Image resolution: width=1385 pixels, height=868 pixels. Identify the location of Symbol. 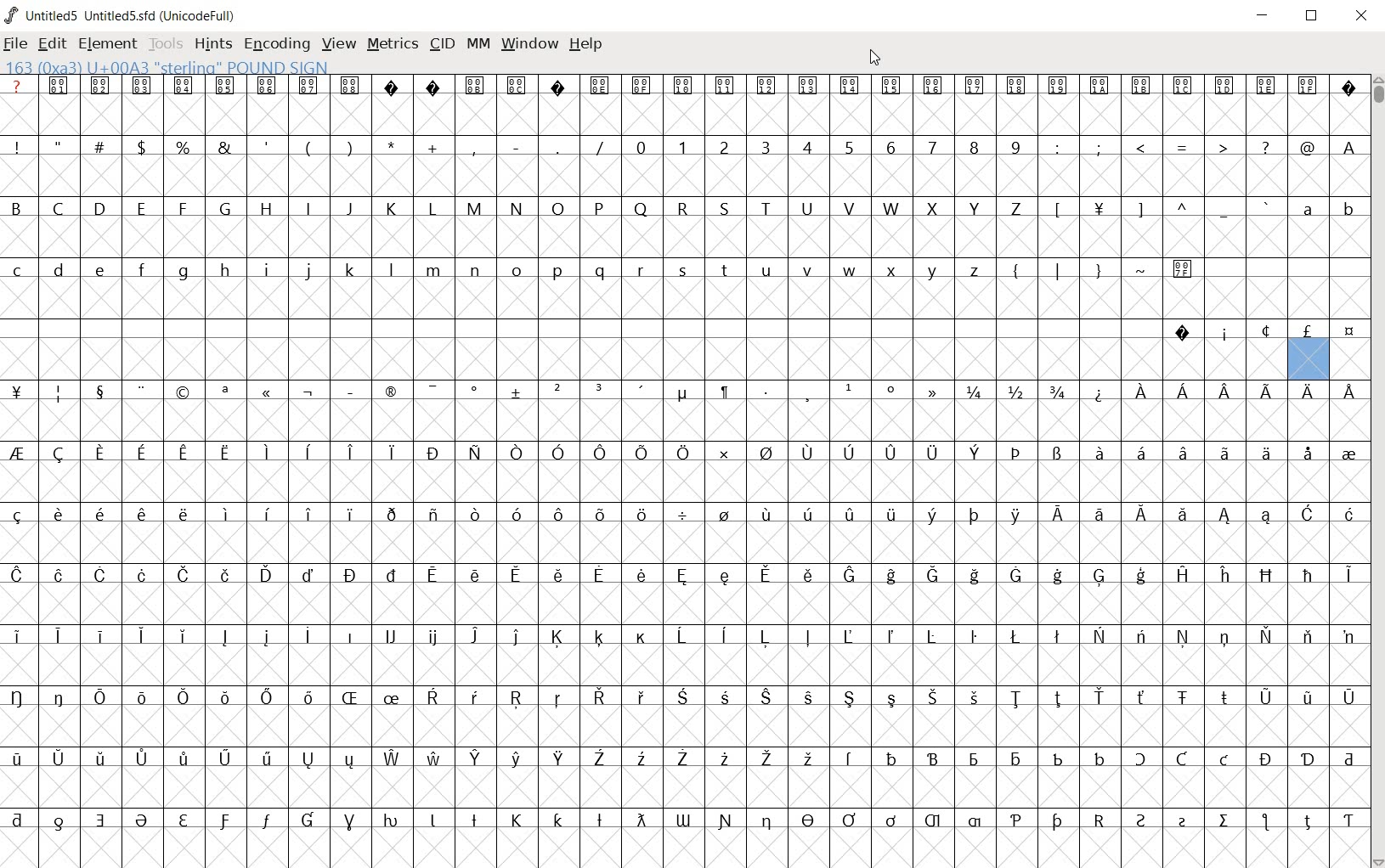
(1308, 576).